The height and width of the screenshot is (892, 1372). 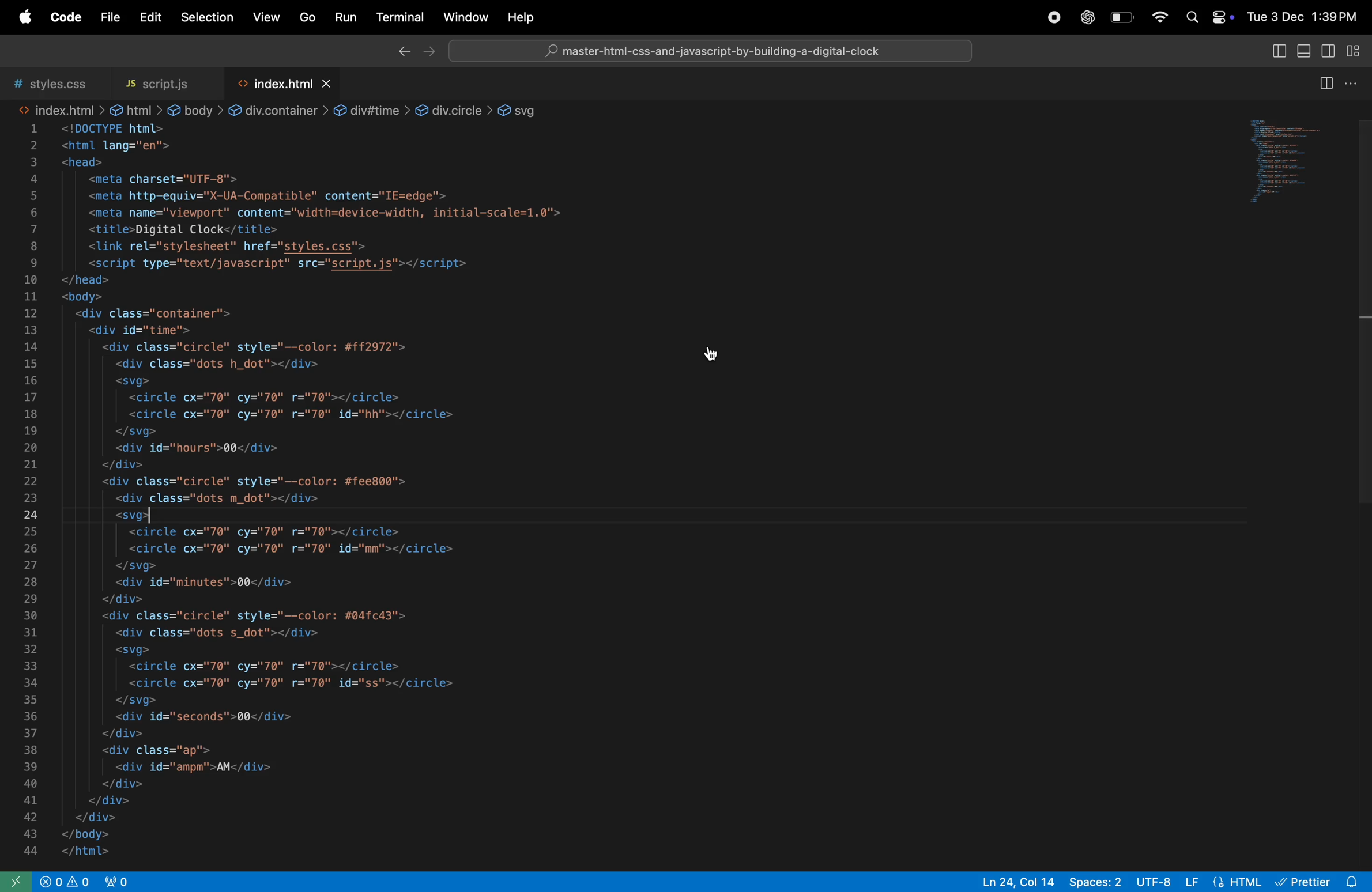 I want to click on html, so click(x=1225, y=880).